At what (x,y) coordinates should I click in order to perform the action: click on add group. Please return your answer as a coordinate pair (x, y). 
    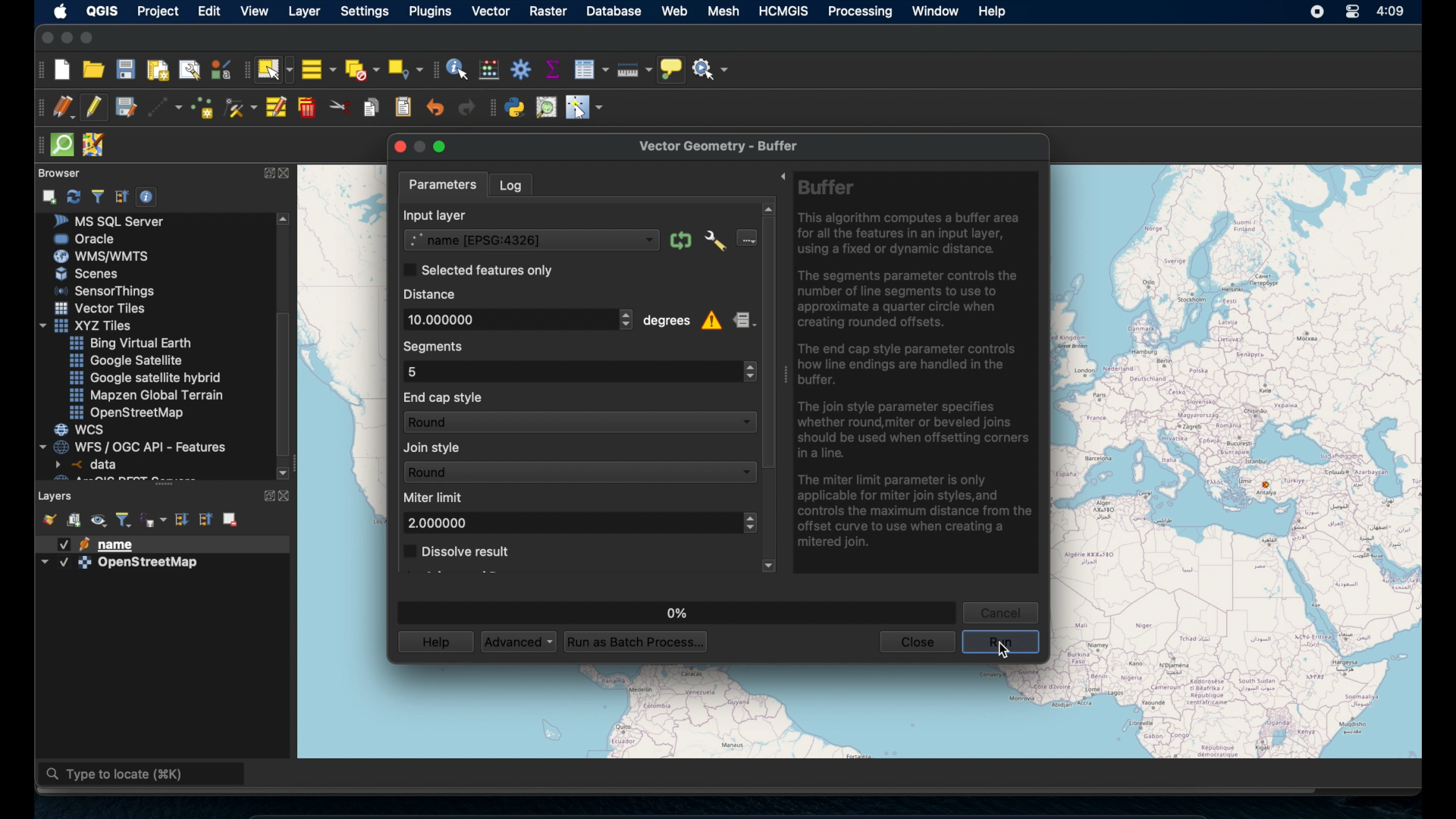
    Looking at the image, I should click on (74, 521).